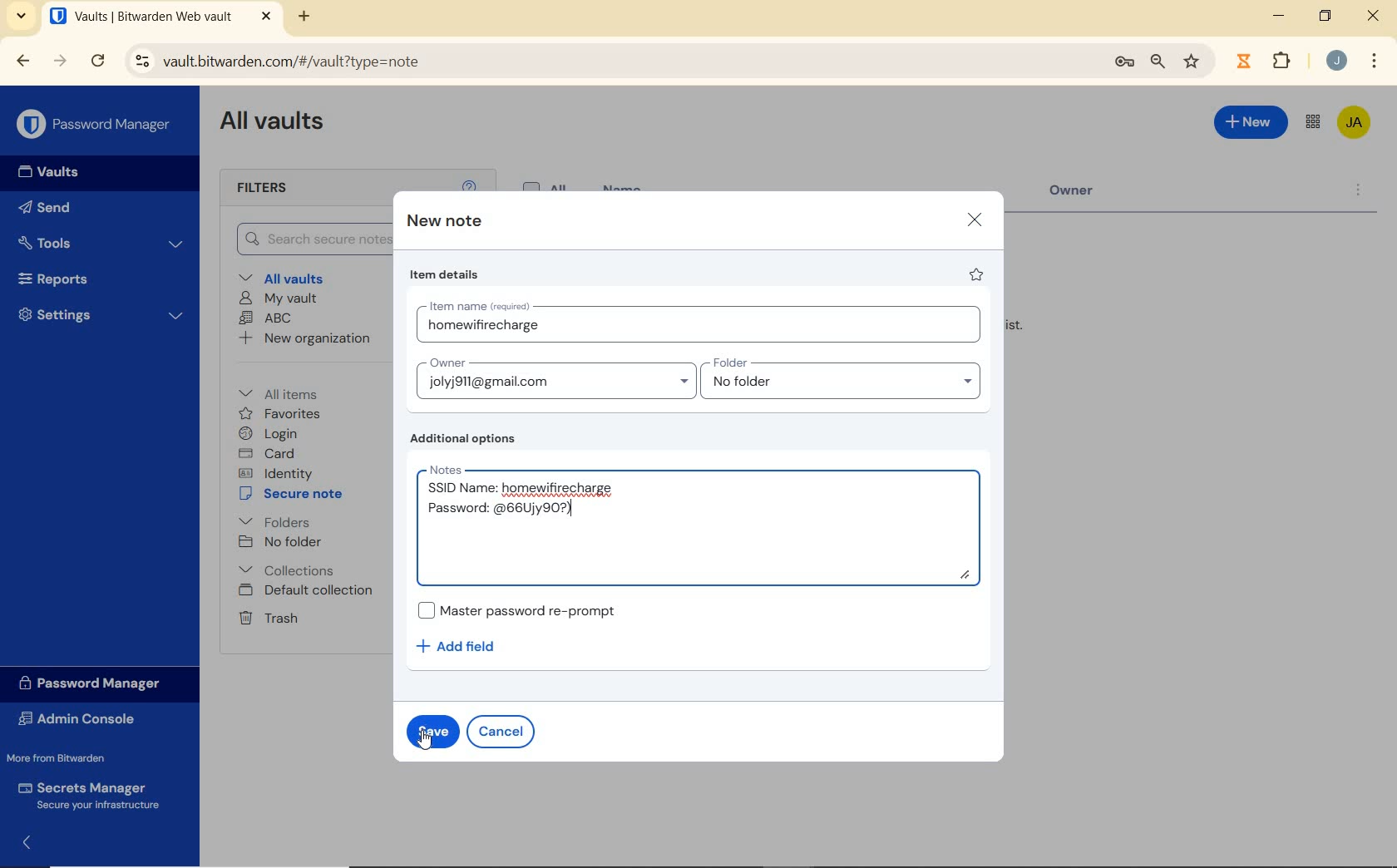  What do you see at coordinates (428, 742) in the screenshot?
I see `cursor` at bounding box center [428, 742].